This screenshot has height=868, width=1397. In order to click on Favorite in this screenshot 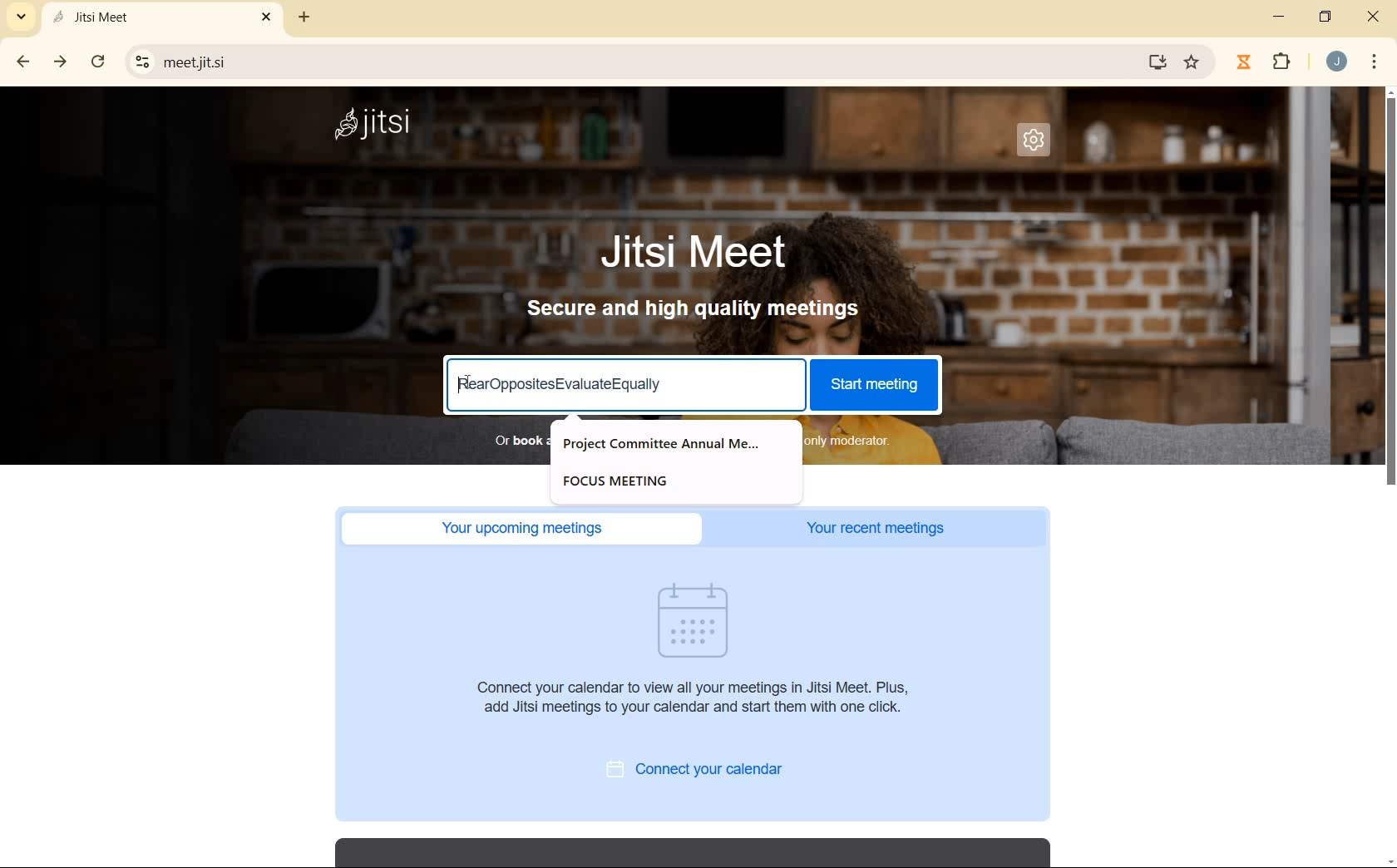, I will do `click(1191, 65)`.